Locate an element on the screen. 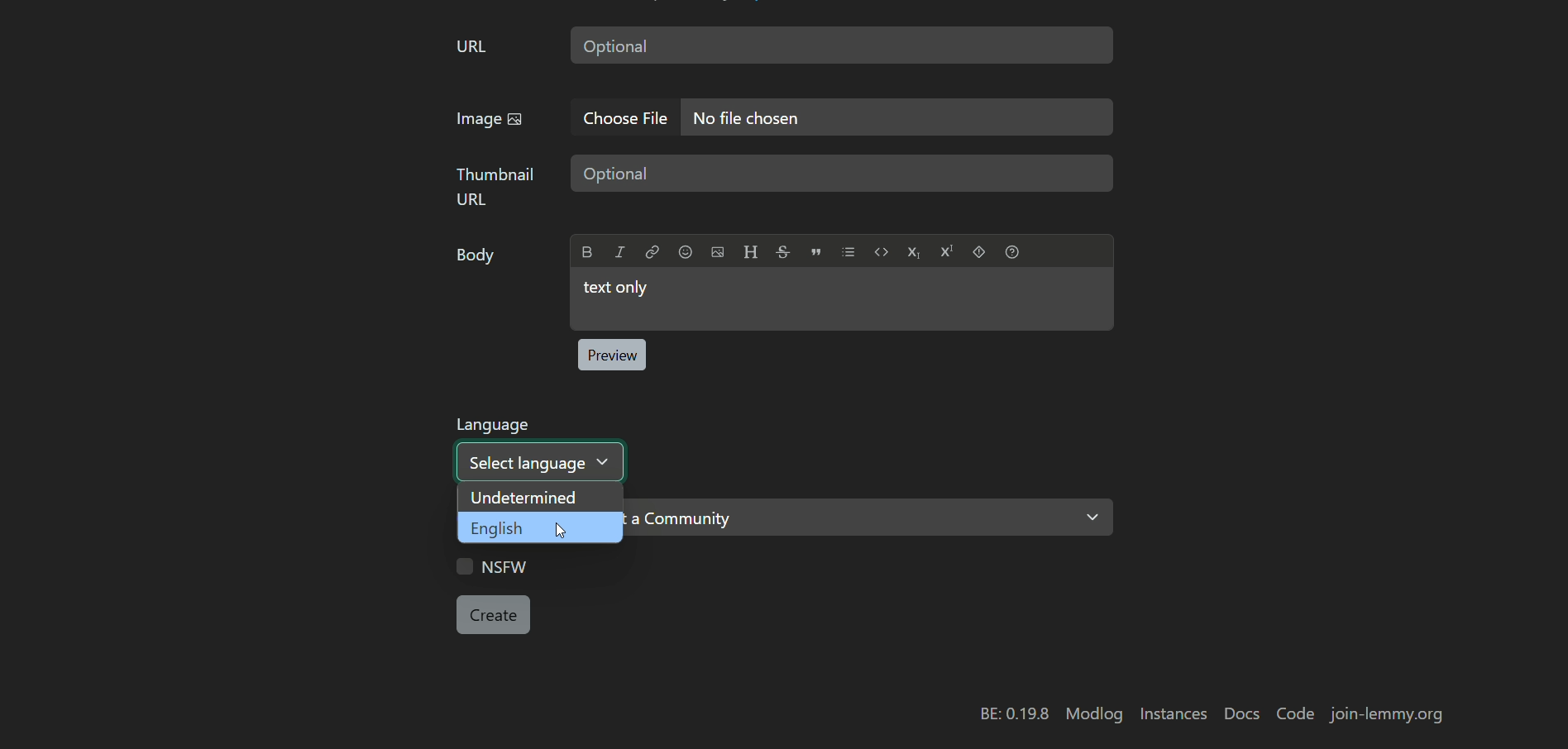 Image resolution: width=1568 pixels, height=749 pixels. Body is located at coordinates (478, 259).